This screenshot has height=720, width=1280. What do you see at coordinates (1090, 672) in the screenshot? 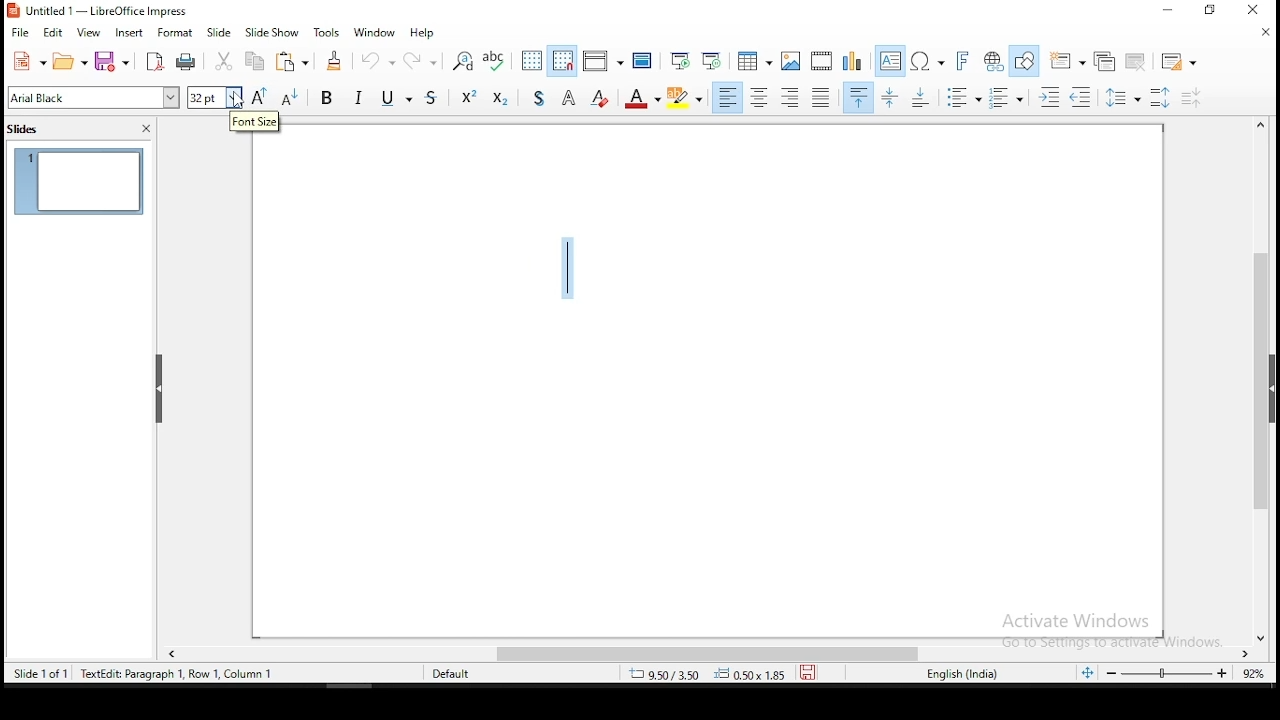
I see `fit slide to current window` at bounding box center [1090, 672].